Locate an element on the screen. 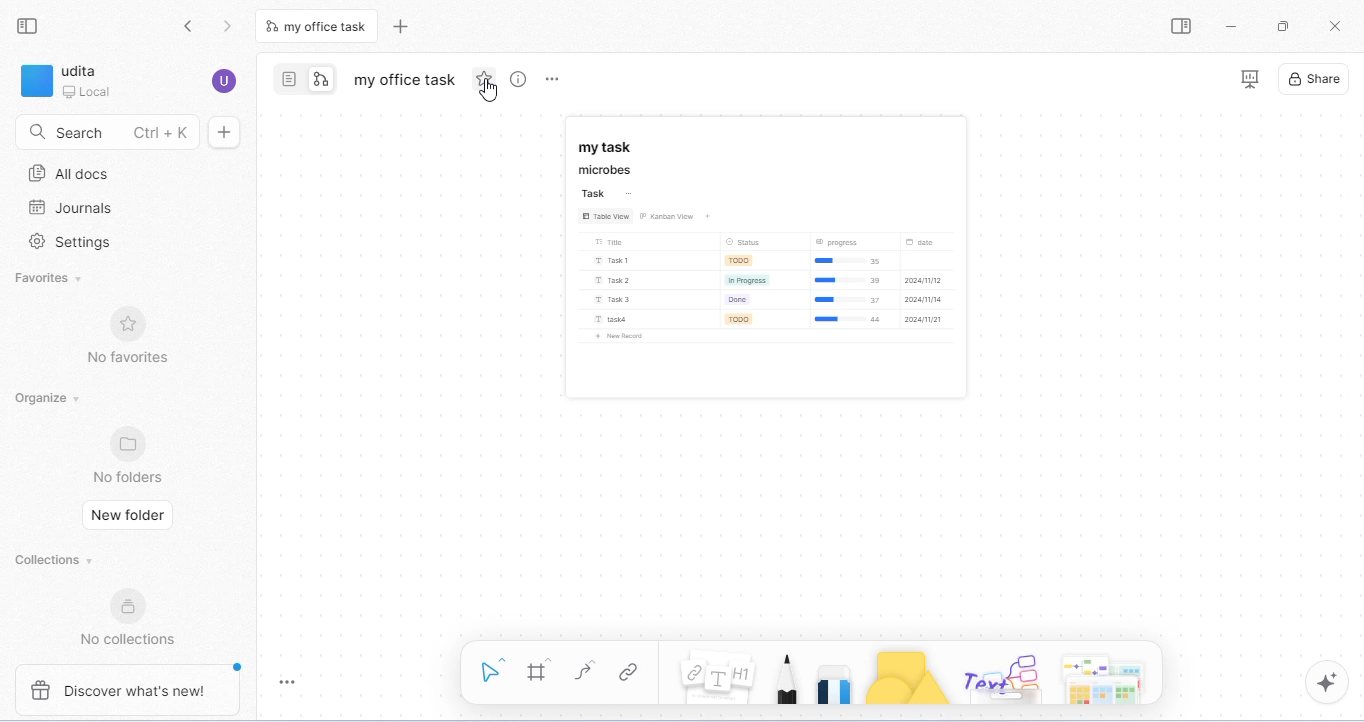 The image size is (1364, 722). toggle zoom is located at coordinates (292, 681).